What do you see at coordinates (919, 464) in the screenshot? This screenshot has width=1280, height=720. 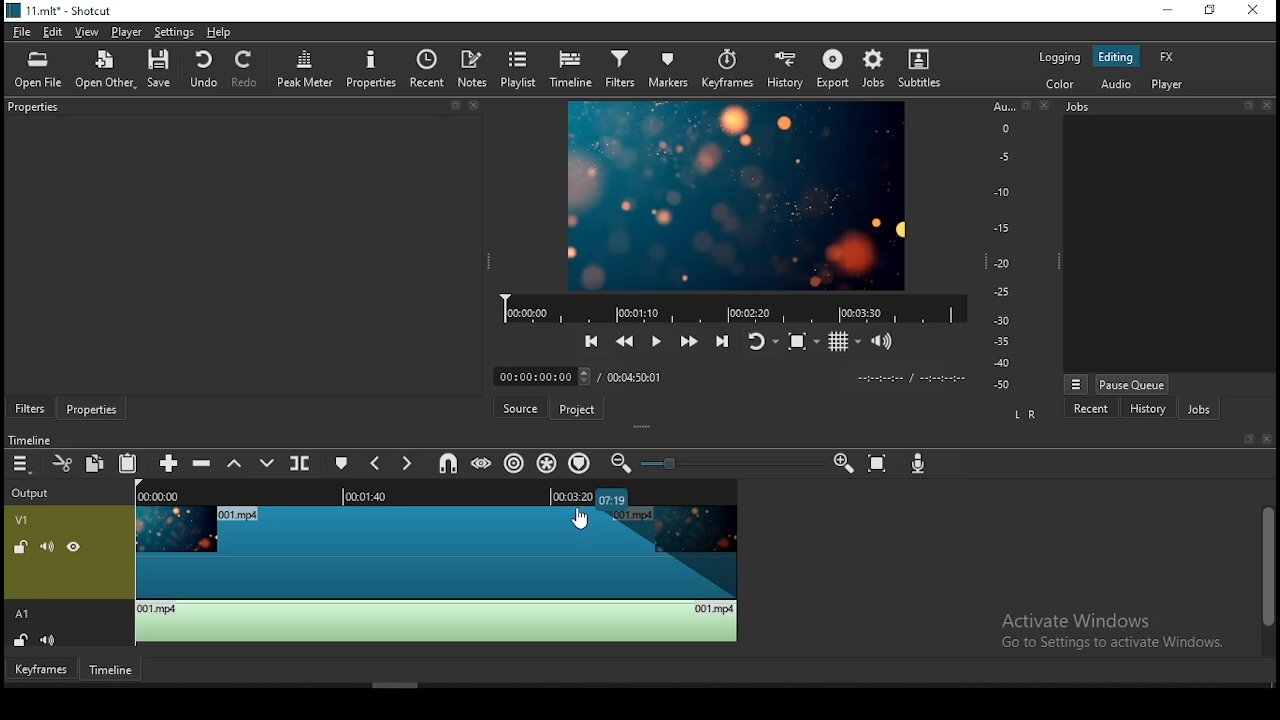 I see `record audio` at bounding box center [919, 464].